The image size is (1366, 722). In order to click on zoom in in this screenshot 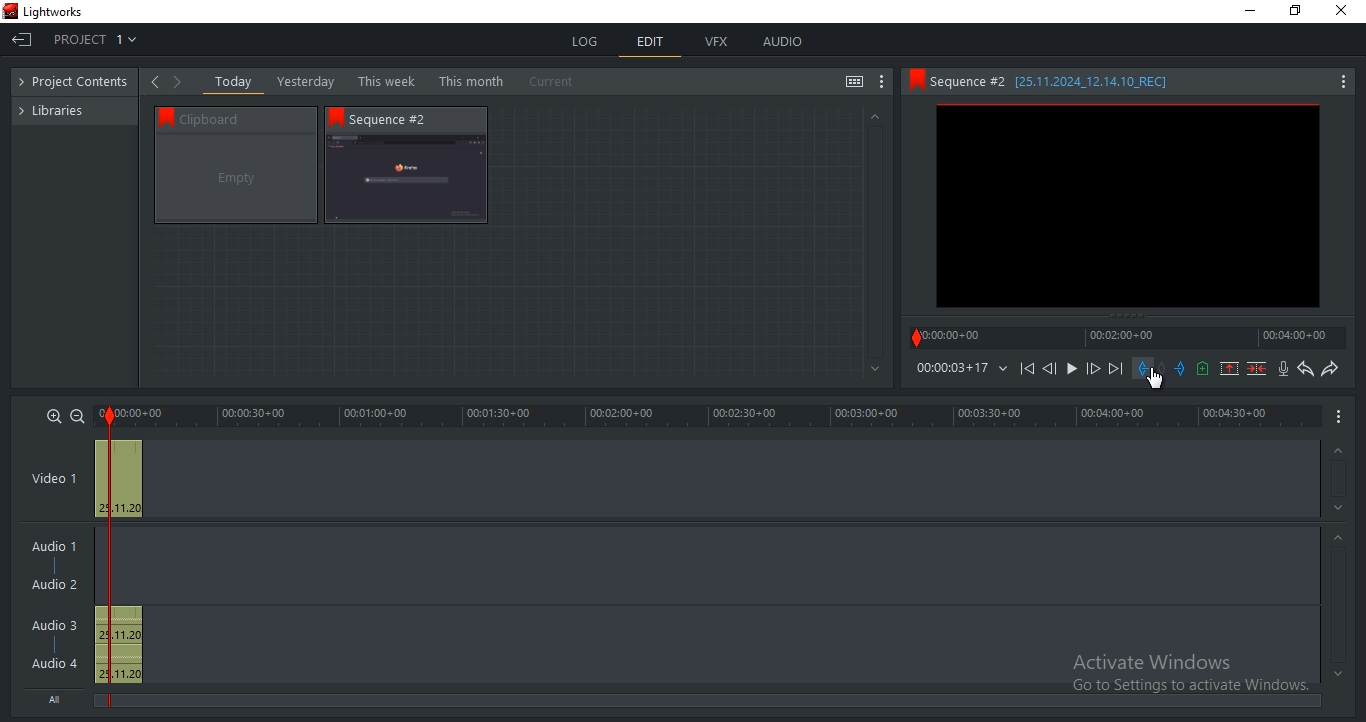, I will do `click(54, 415)`.